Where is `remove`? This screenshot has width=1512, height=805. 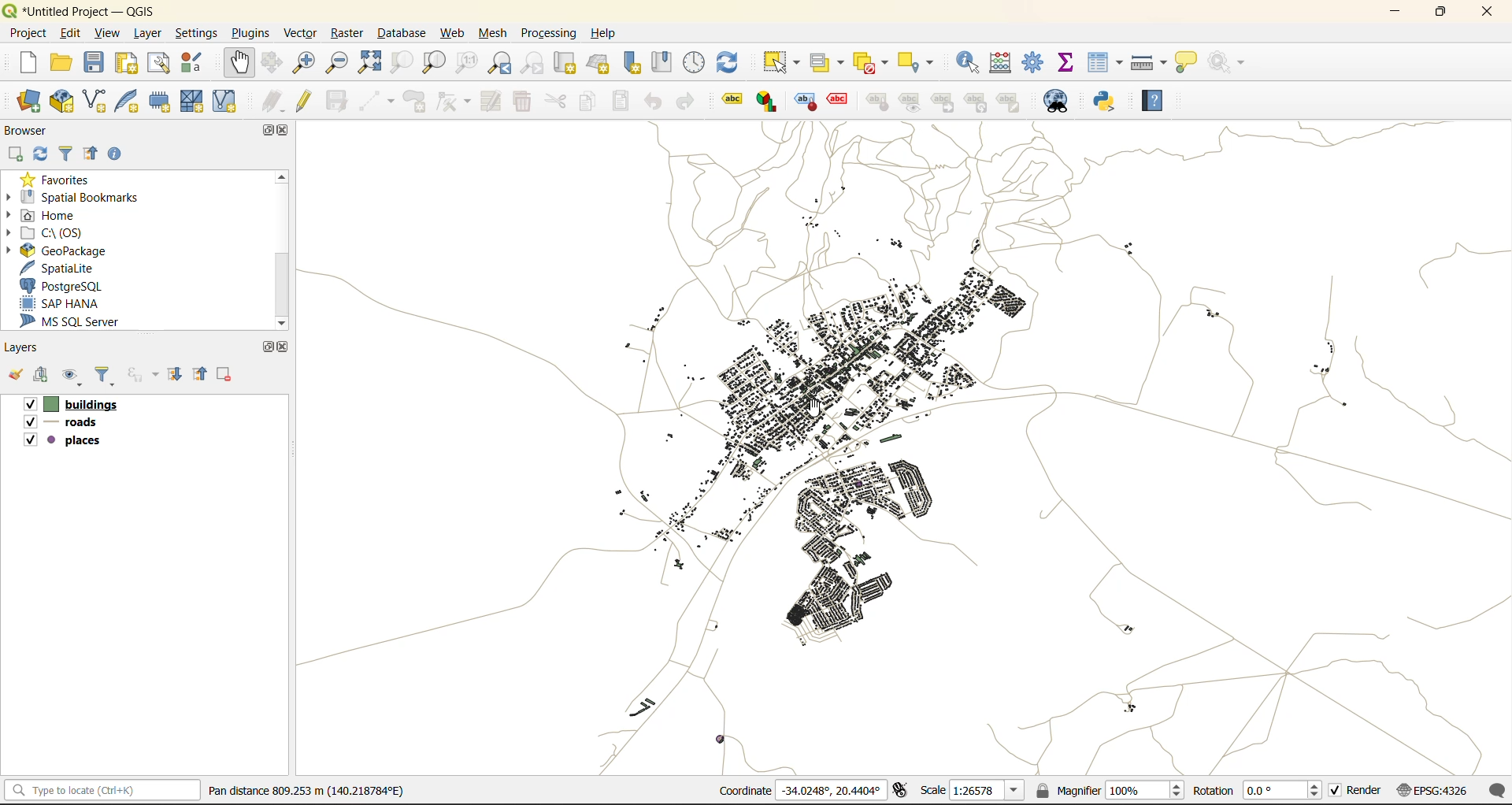 remove is located at coordinates (227, 374).